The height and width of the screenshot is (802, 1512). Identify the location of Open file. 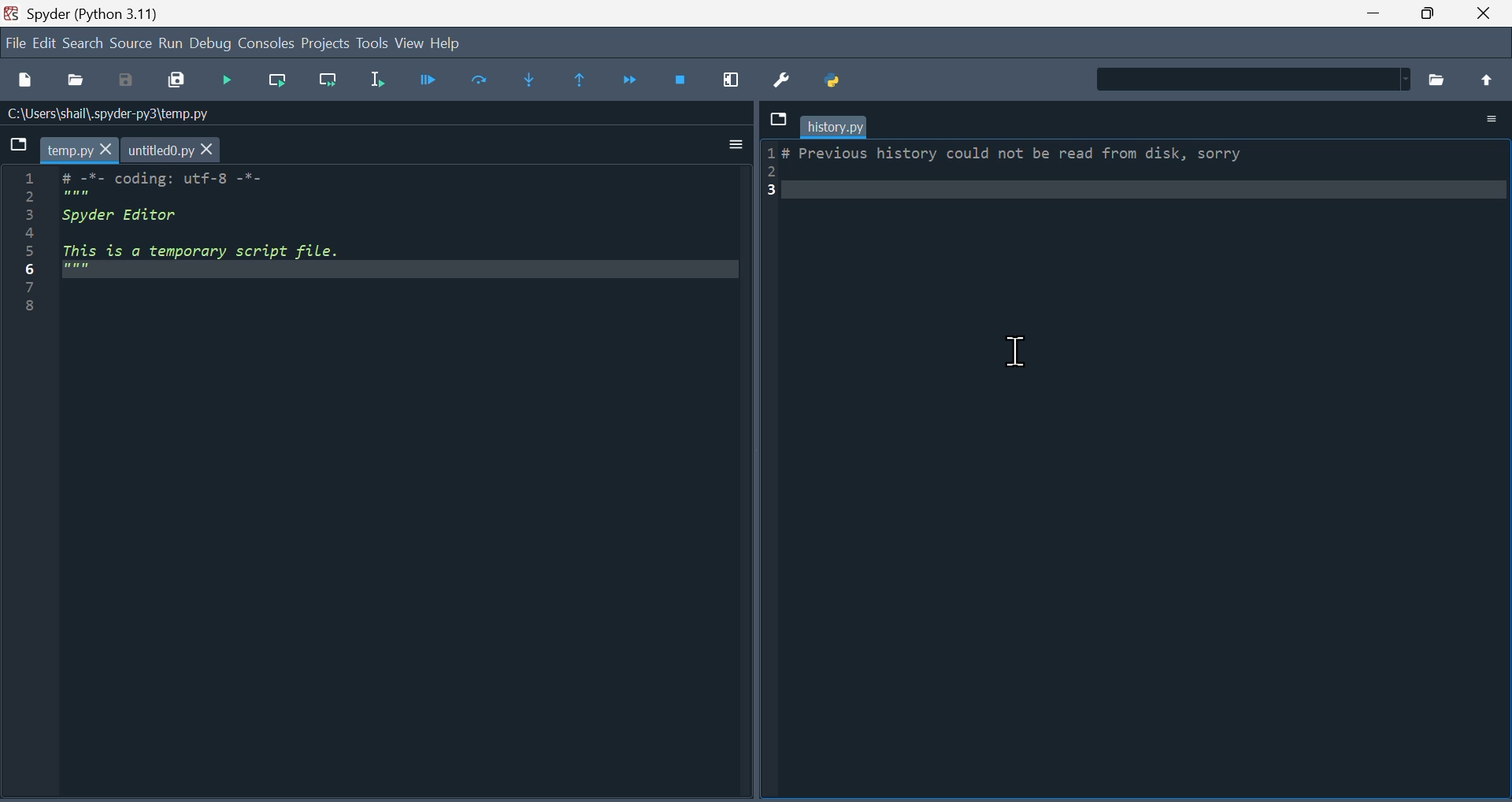
(76, 80).